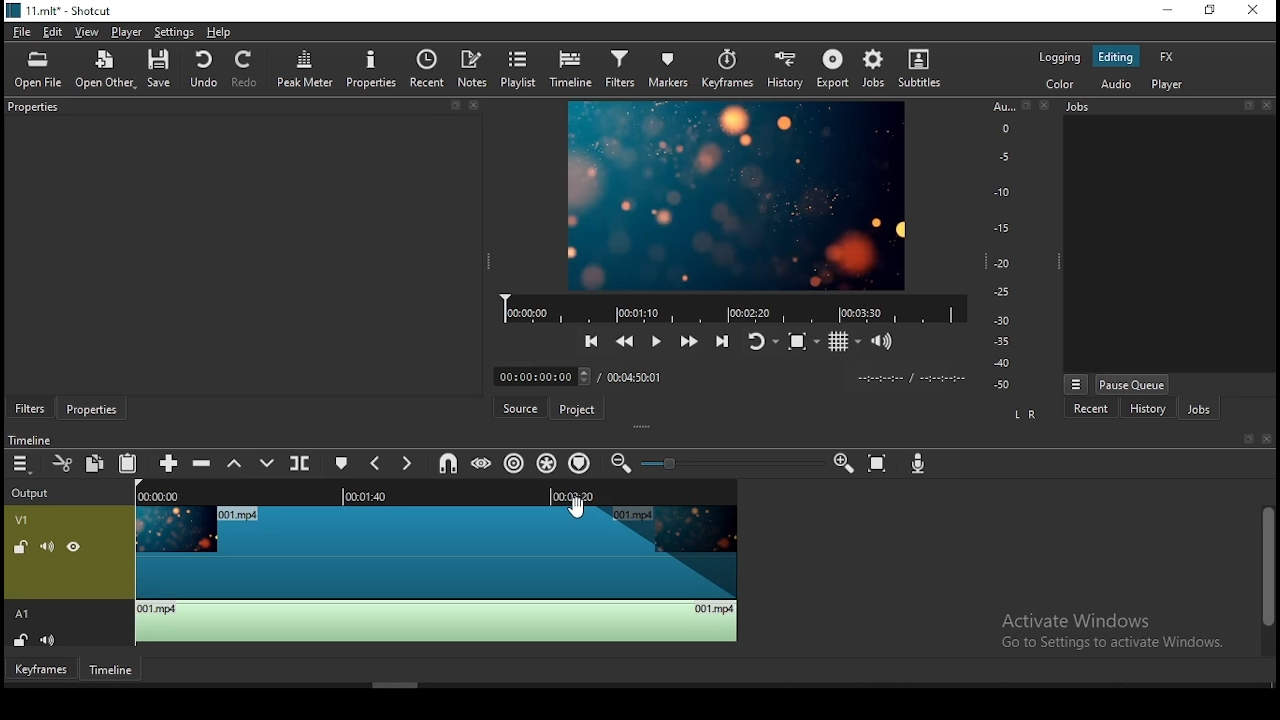  What do you see at coordinates (655, 343) in the screenshot?
I see `play/pause` at bounding box center [655, 343].